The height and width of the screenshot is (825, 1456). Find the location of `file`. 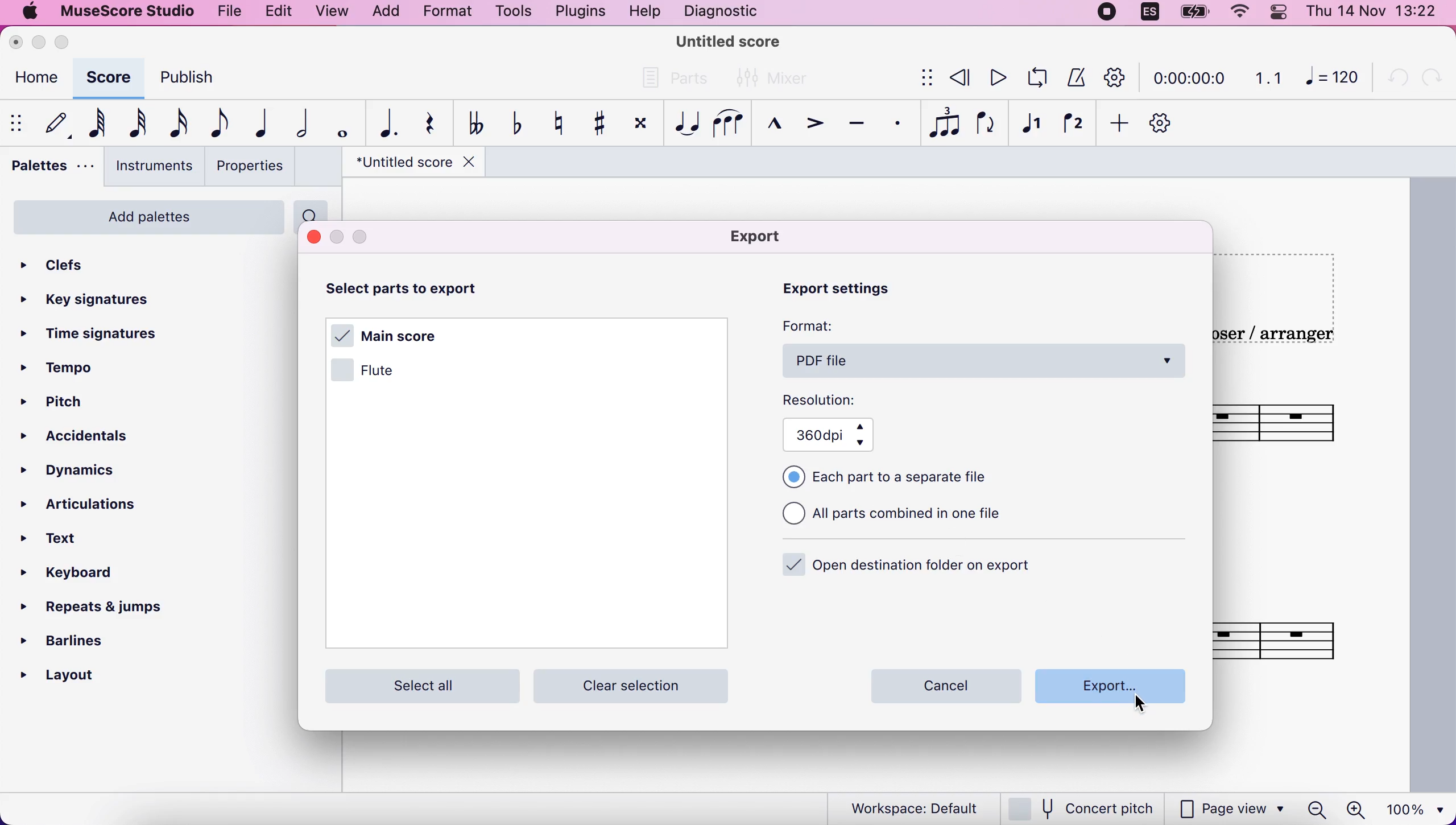

file is located at coordinates (226, 13).